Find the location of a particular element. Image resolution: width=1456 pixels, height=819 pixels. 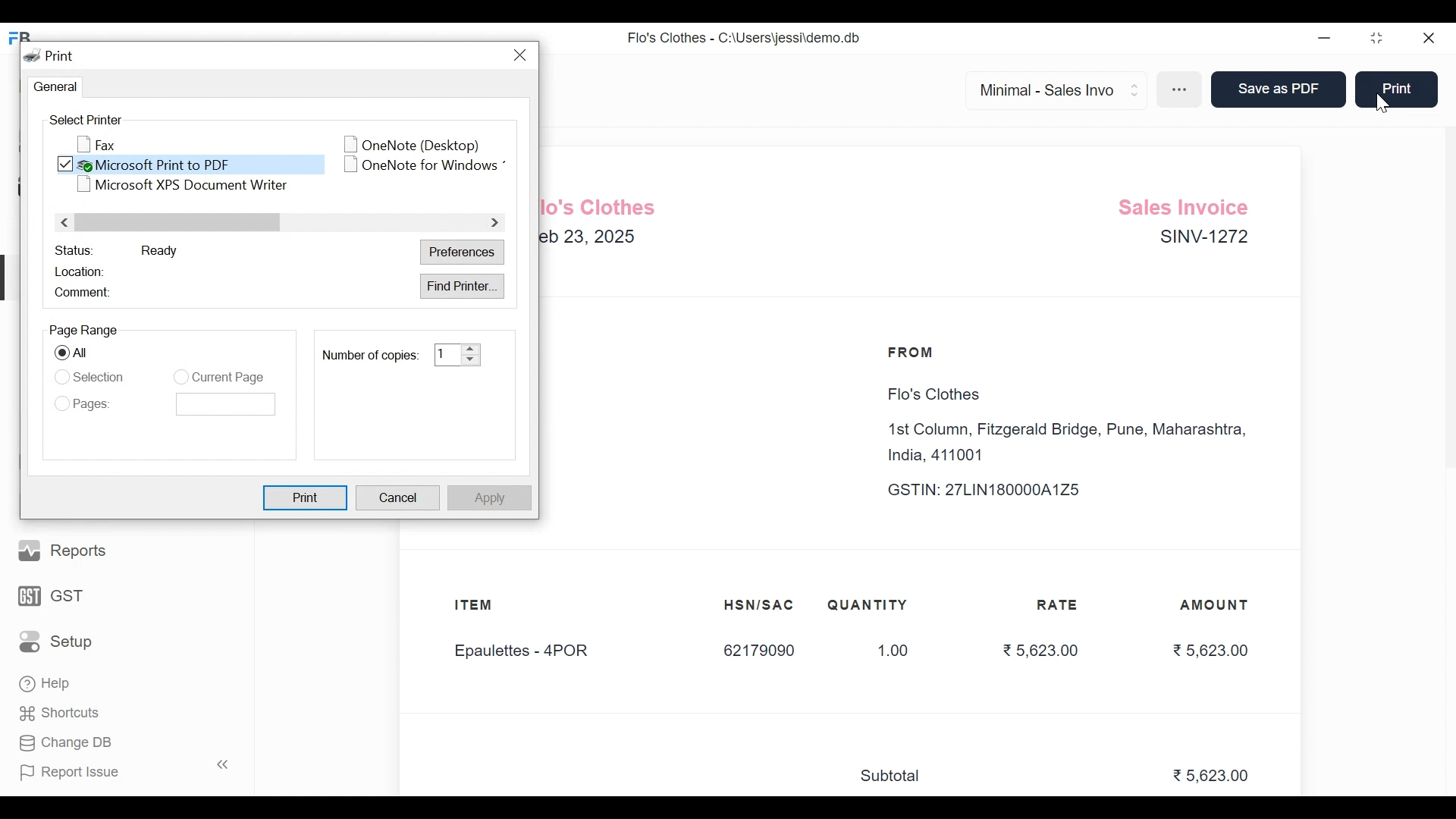

General is located at coordinates (52, 87).